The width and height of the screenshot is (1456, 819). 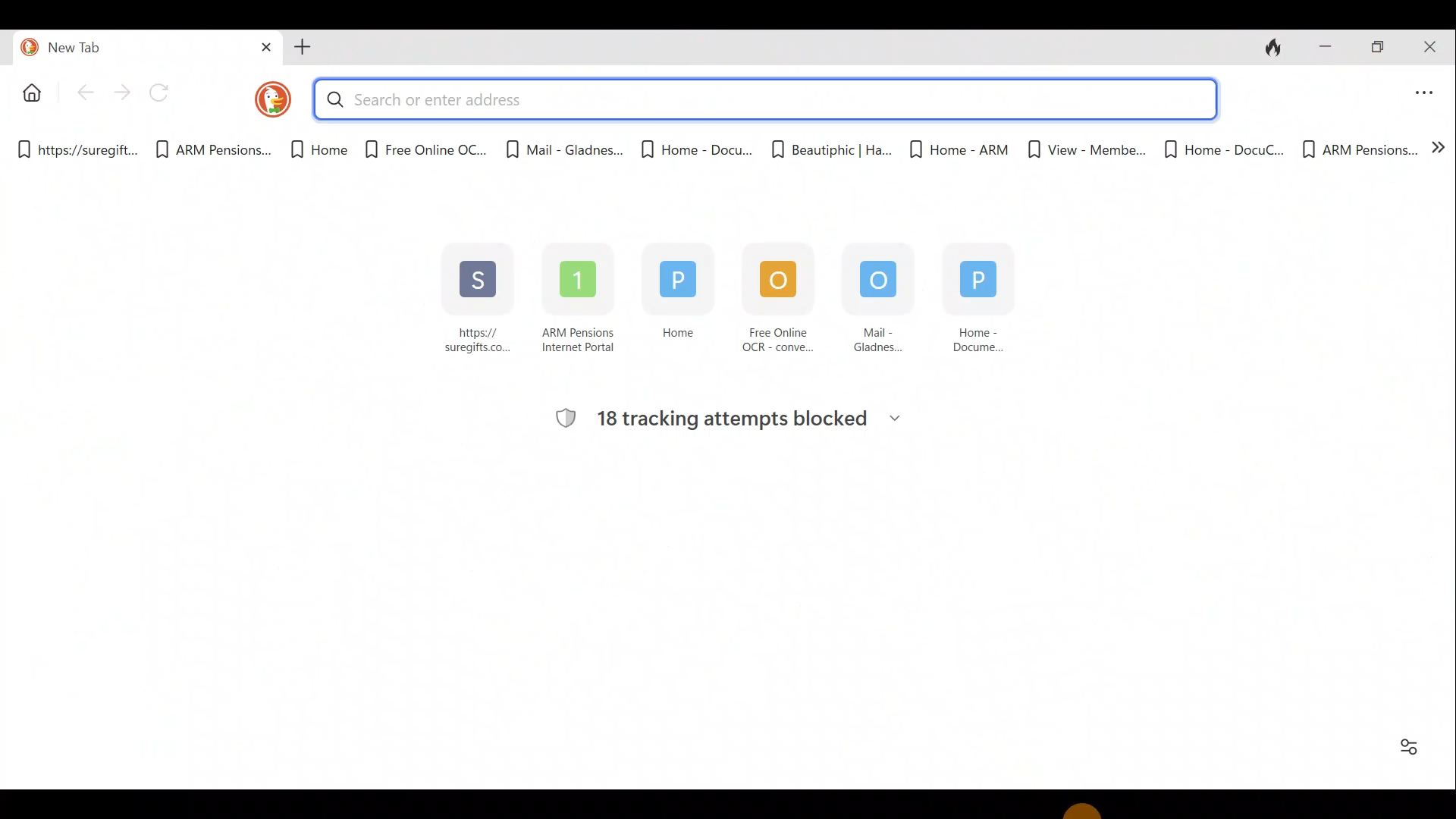 What do you see at coordinates (828, 146) in the screenshot?
I see `Beautiphic | Ha` at bounding box center [828, 146].